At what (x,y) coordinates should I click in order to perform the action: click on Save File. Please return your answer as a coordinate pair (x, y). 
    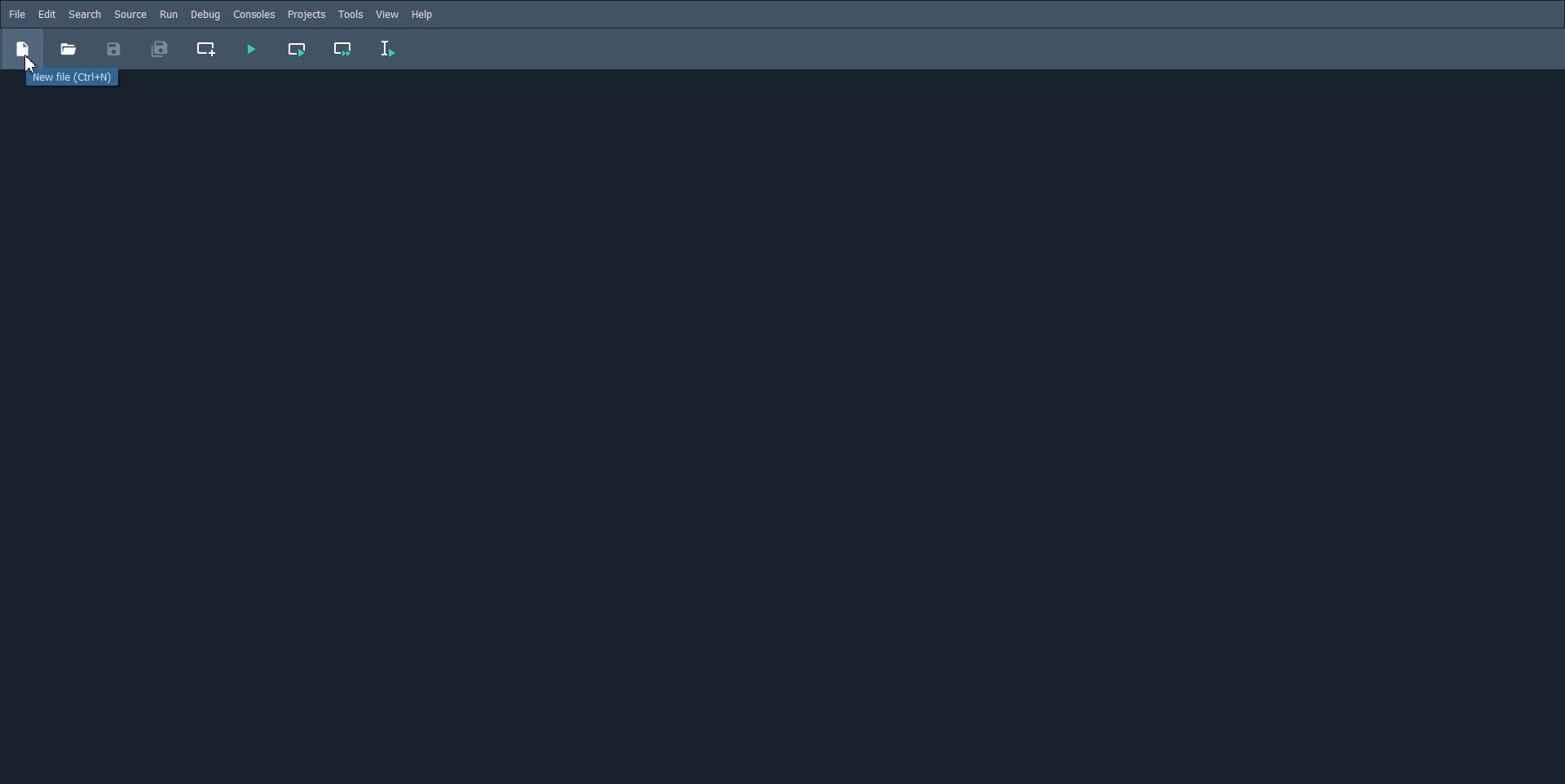
    Looking at the image, I should click on (114, 49).